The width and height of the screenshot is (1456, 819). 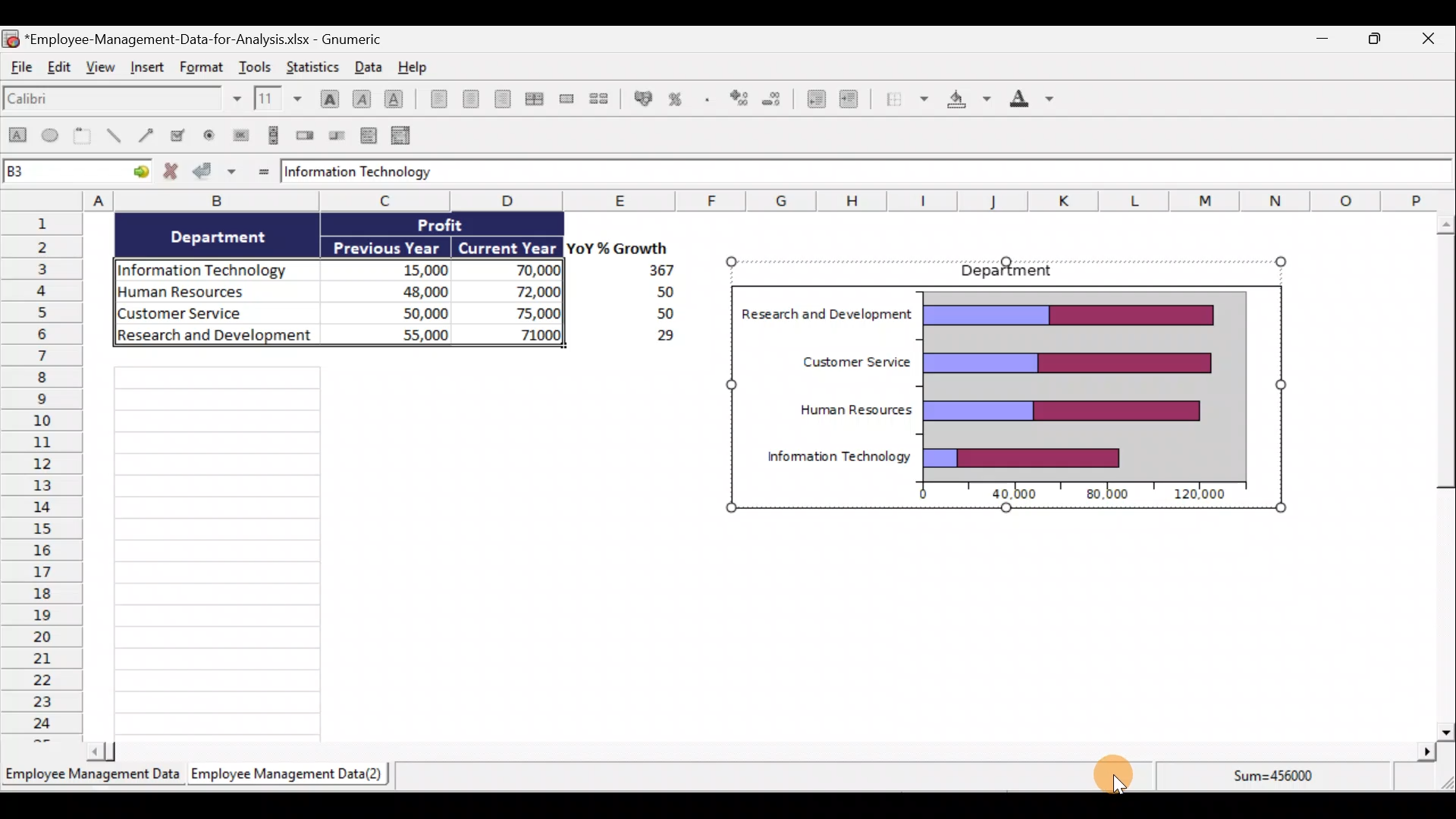 What do you see at coordinates (306, 134) in the screenshot?
I see `Create a spin button` at bounding box center [306, 134].